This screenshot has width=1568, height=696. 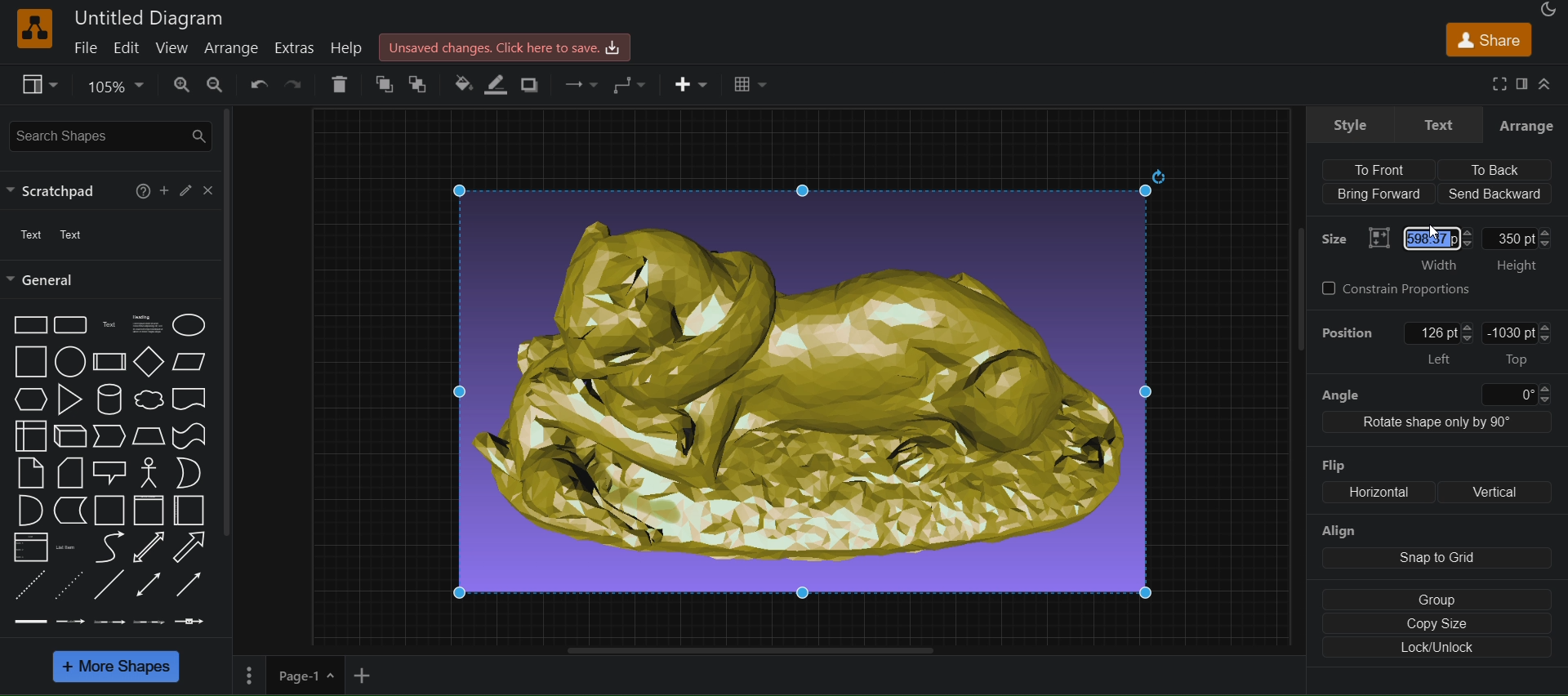 I want to click on file, so click(x=79, y=49).